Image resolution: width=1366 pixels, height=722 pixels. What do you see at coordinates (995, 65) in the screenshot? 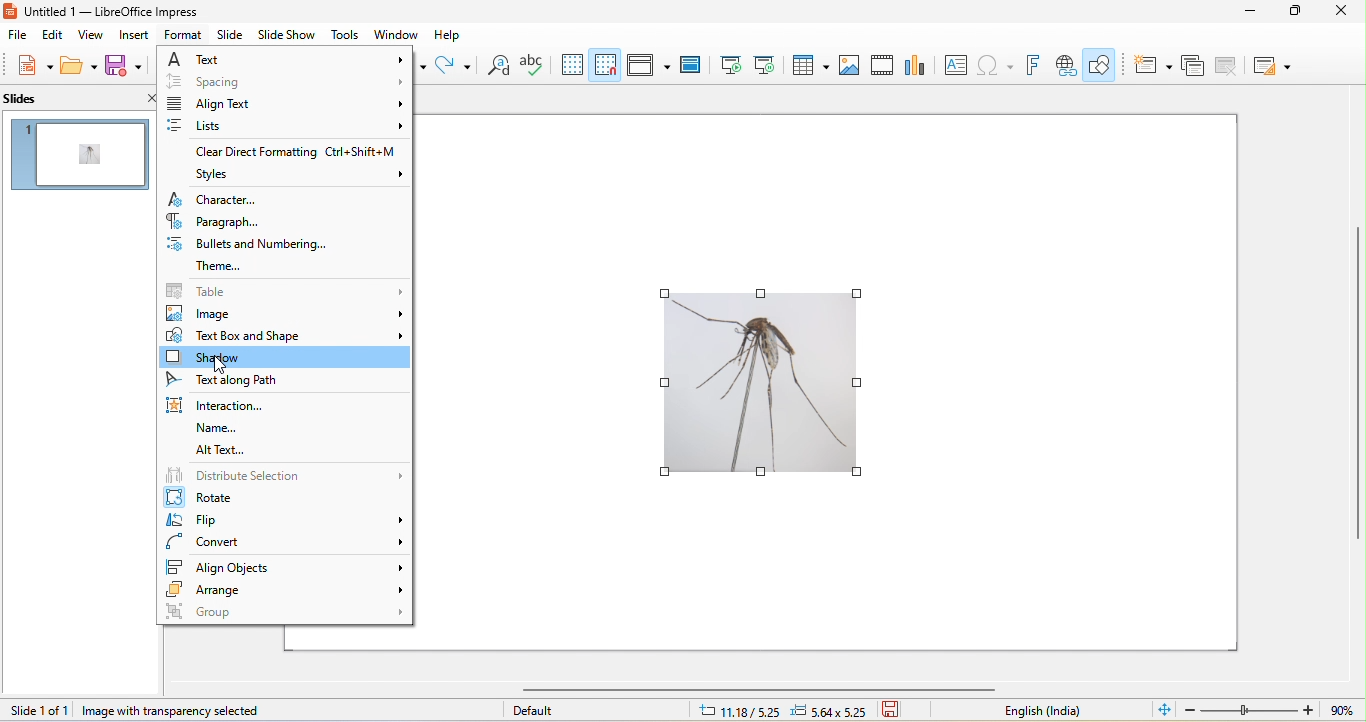
I see `insert special characters` at bounding box center [995, 65].